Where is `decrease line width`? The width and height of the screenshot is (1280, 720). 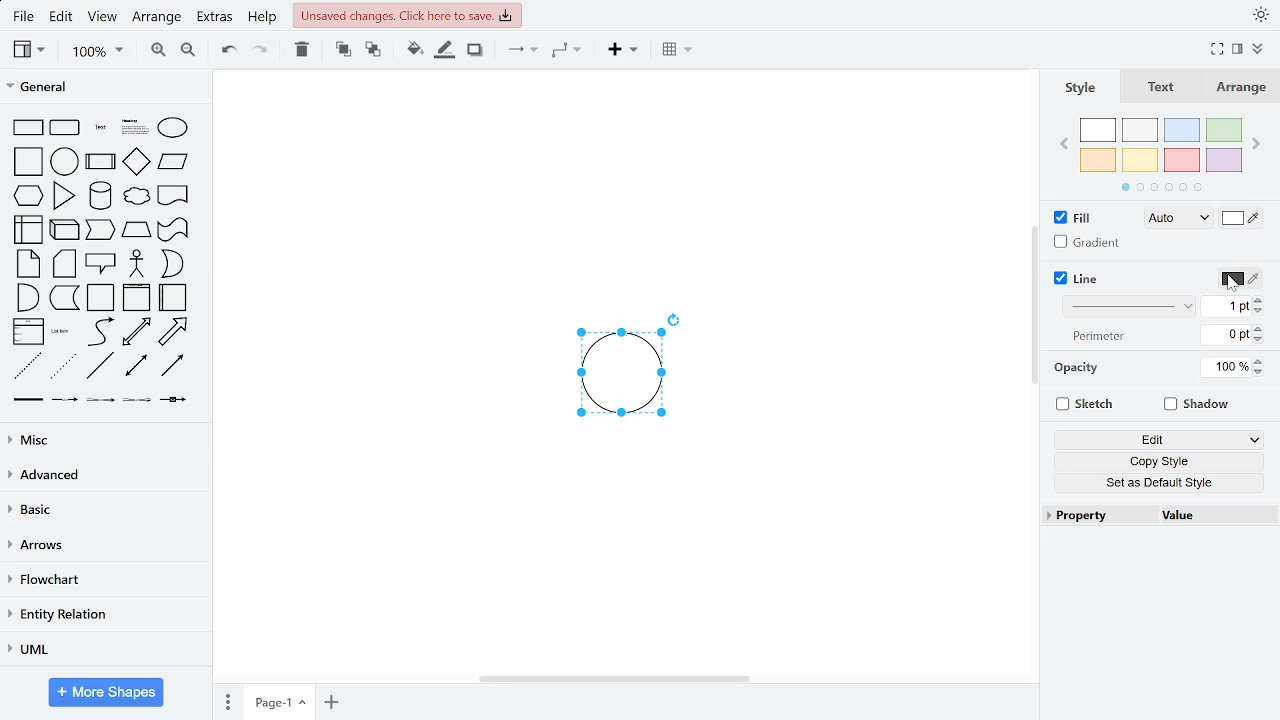
decrease line width is located at coordinates (1261, 311).